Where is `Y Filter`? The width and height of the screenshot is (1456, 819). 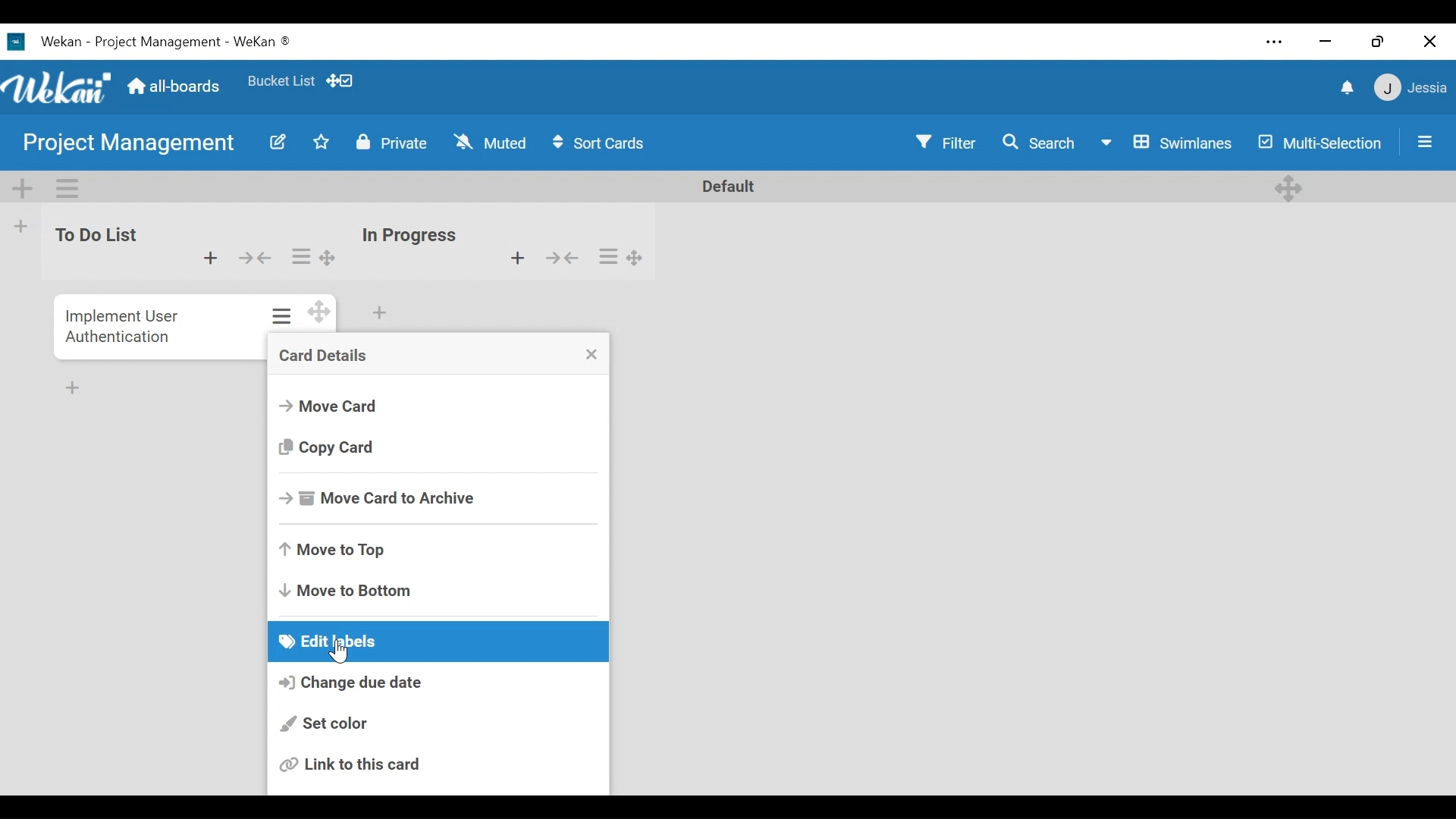 Y Filter is located at coordinates (946, 141).